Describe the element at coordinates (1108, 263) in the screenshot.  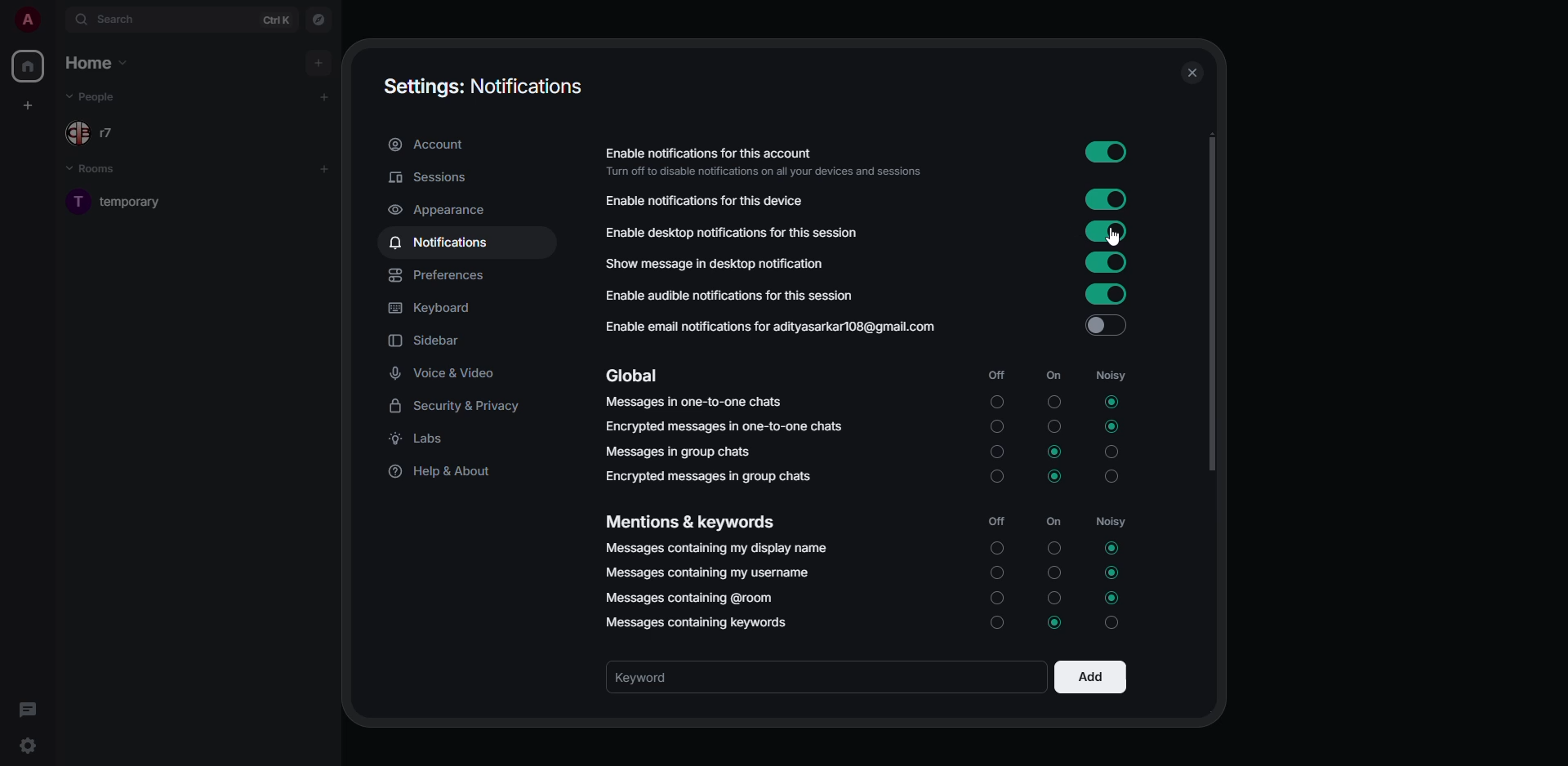
I see `enabled` at that location.